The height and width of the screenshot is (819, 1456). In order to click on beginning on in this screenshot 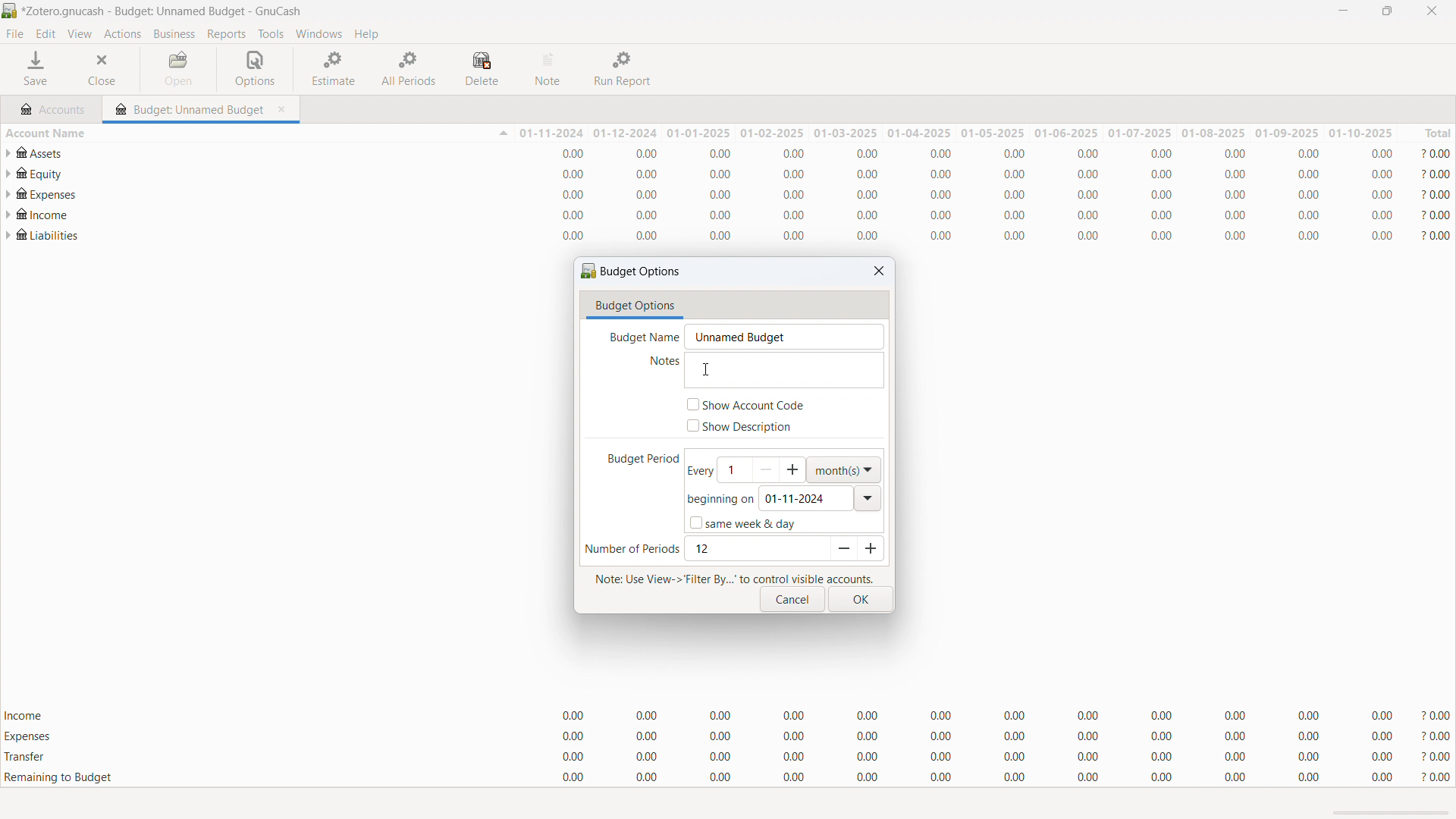, I will do `click(720, 500)`.